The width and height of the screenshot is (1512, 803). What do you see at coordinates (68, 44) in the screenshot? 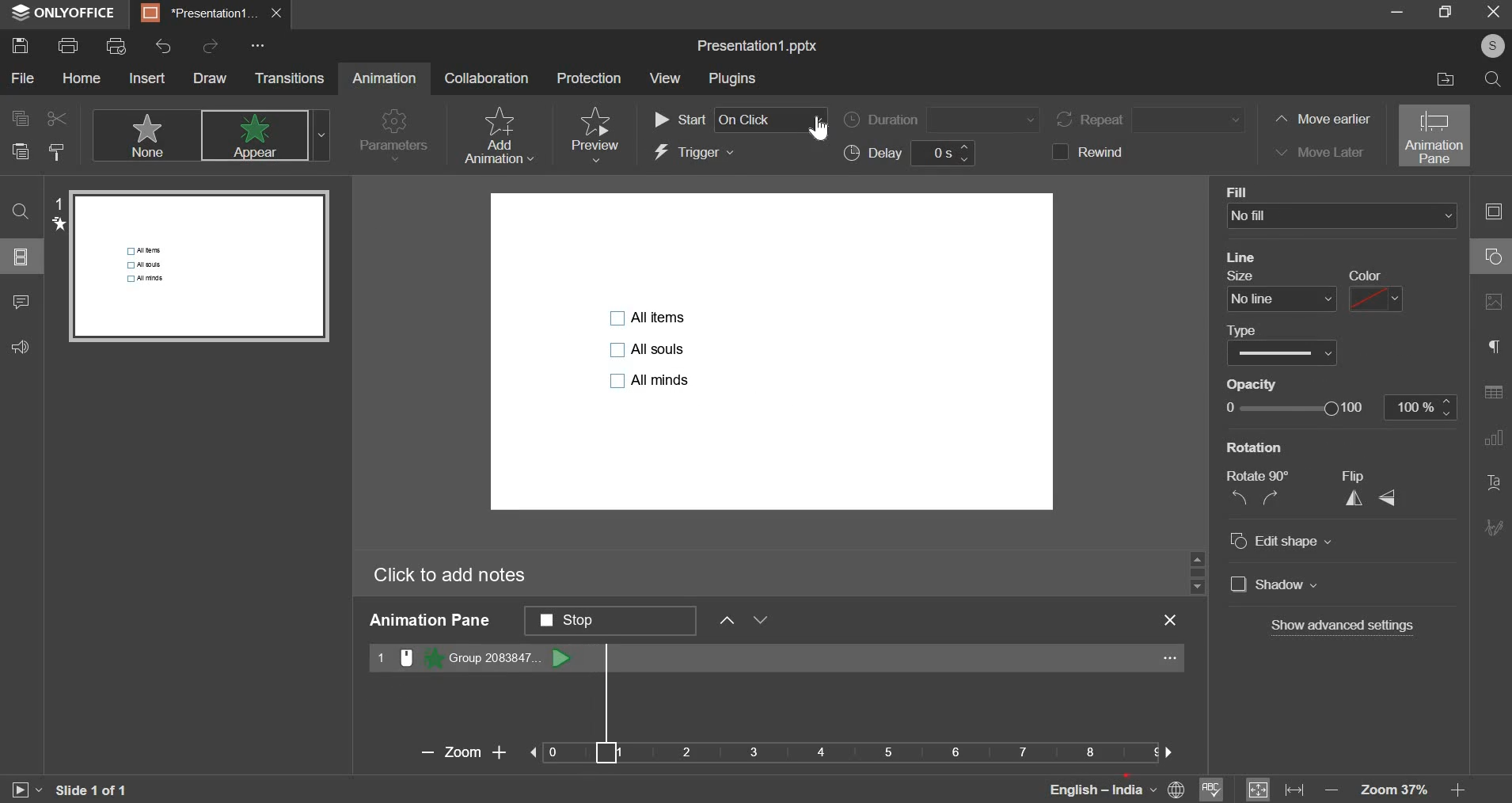
I see `print` at bounding box center [68, 44].